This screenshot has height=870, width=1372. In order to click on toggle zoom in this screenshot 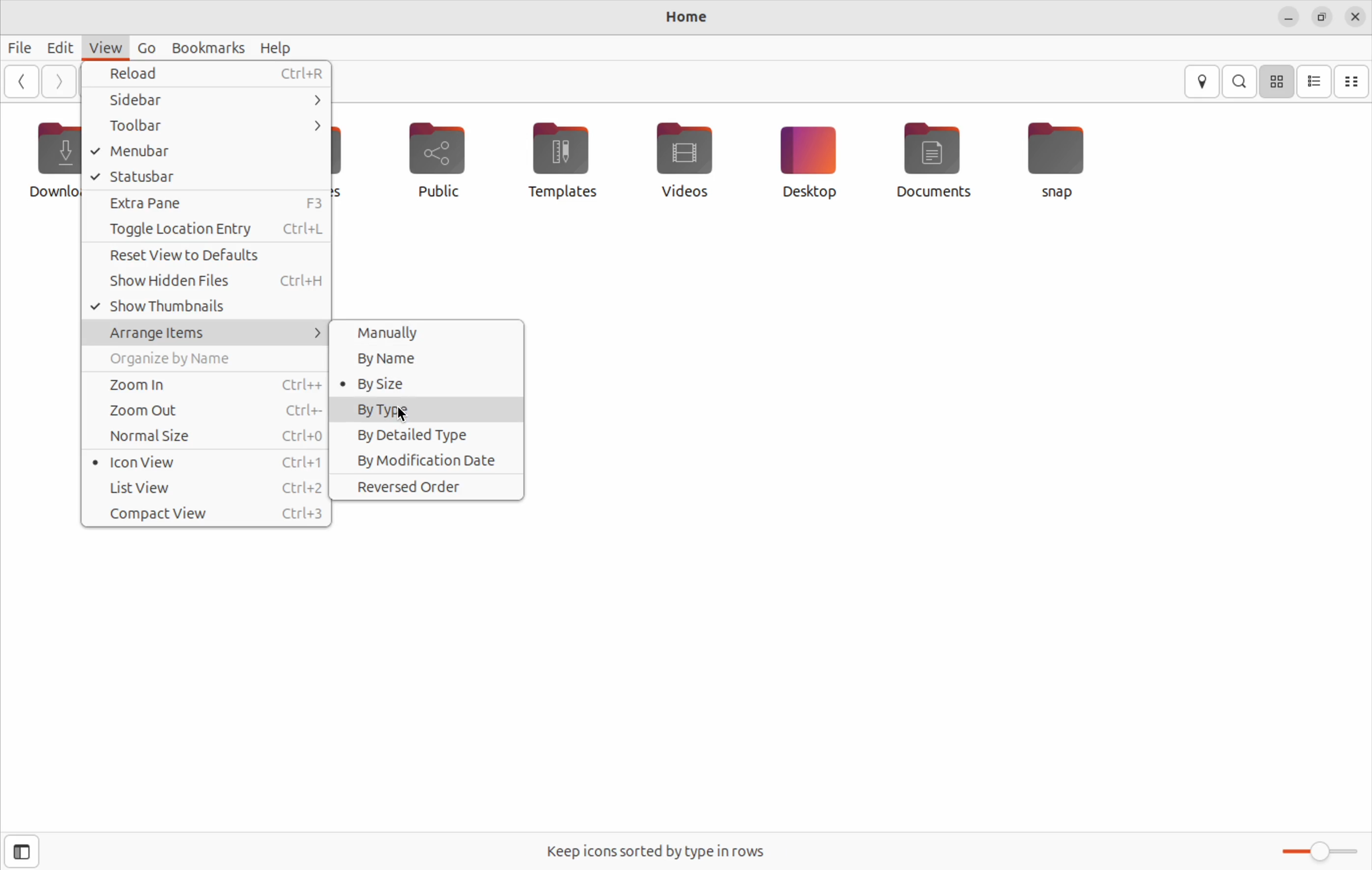, I will do `click(1312, 852)`.